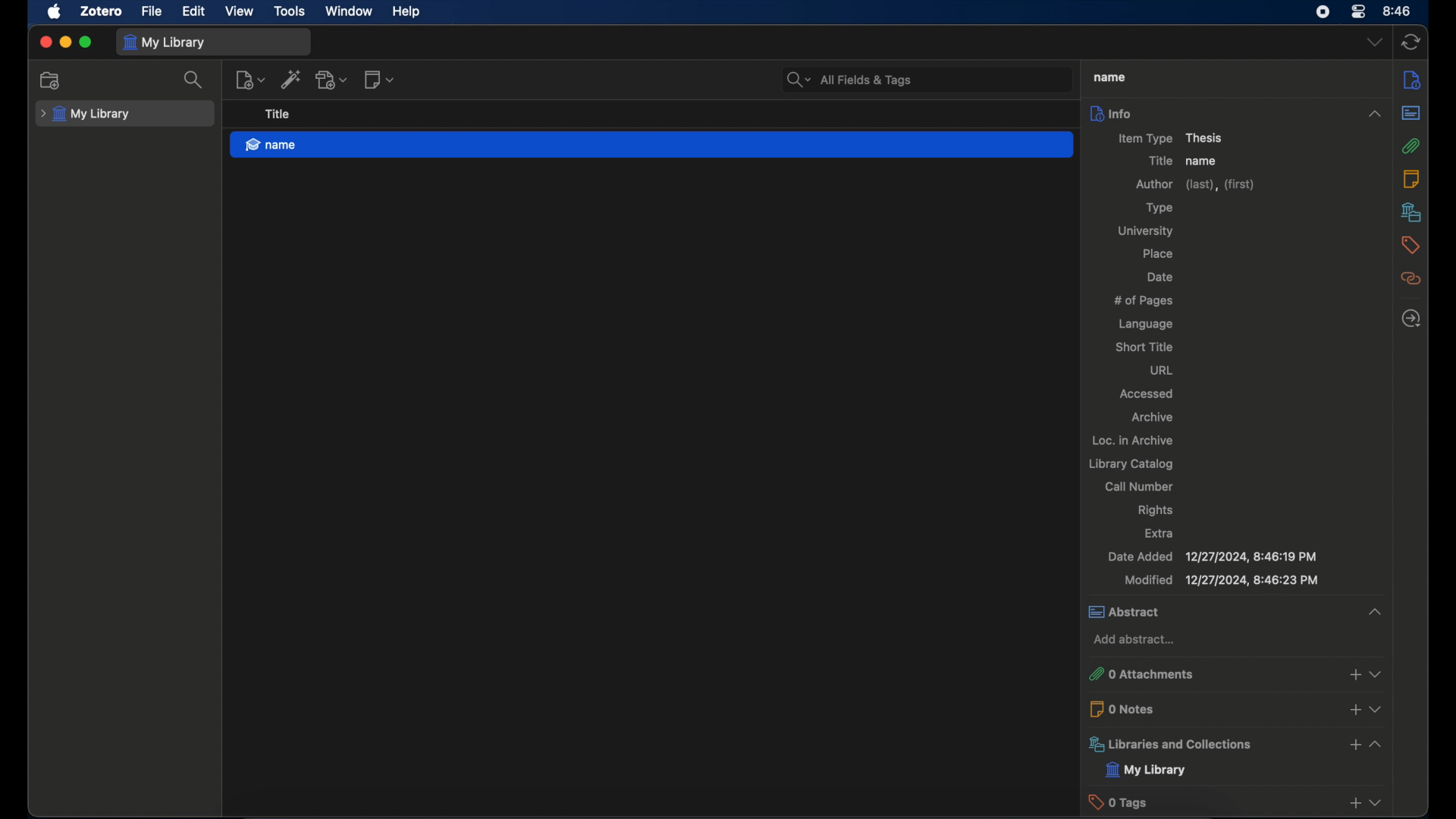  I want to click on title name, so click(1205, 161).